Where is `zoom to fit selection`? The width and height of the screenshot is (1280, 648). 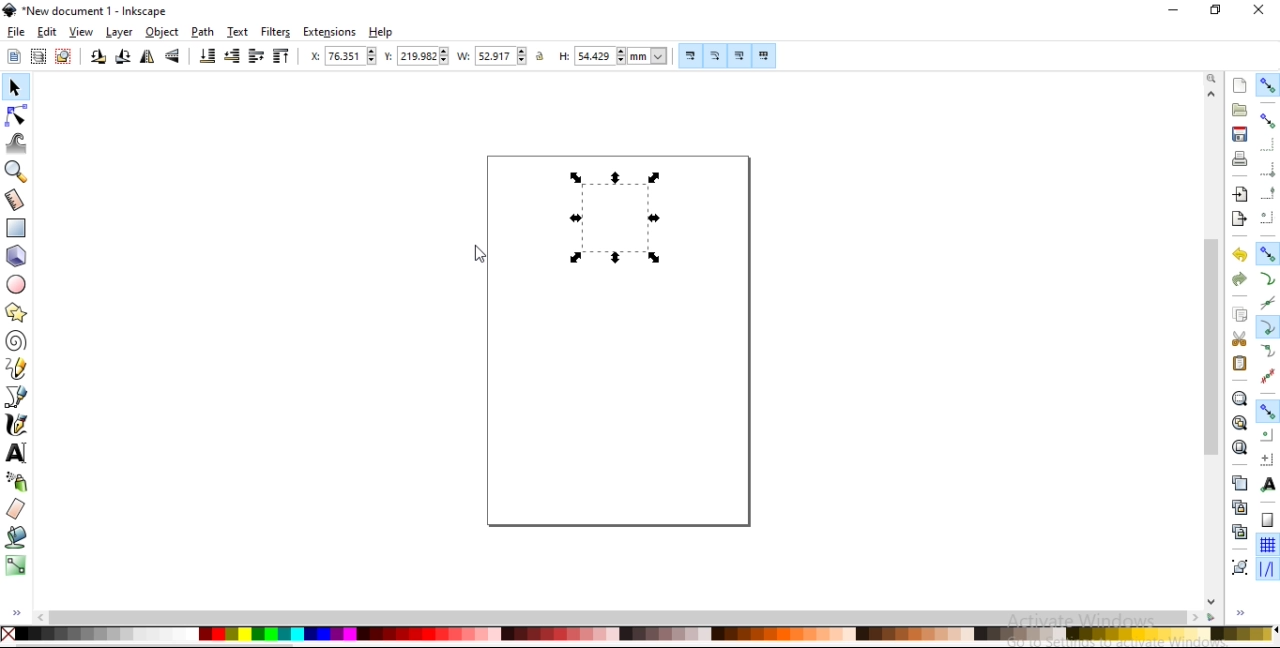
zoom to fit selection is located at coordinates (1239, 399).